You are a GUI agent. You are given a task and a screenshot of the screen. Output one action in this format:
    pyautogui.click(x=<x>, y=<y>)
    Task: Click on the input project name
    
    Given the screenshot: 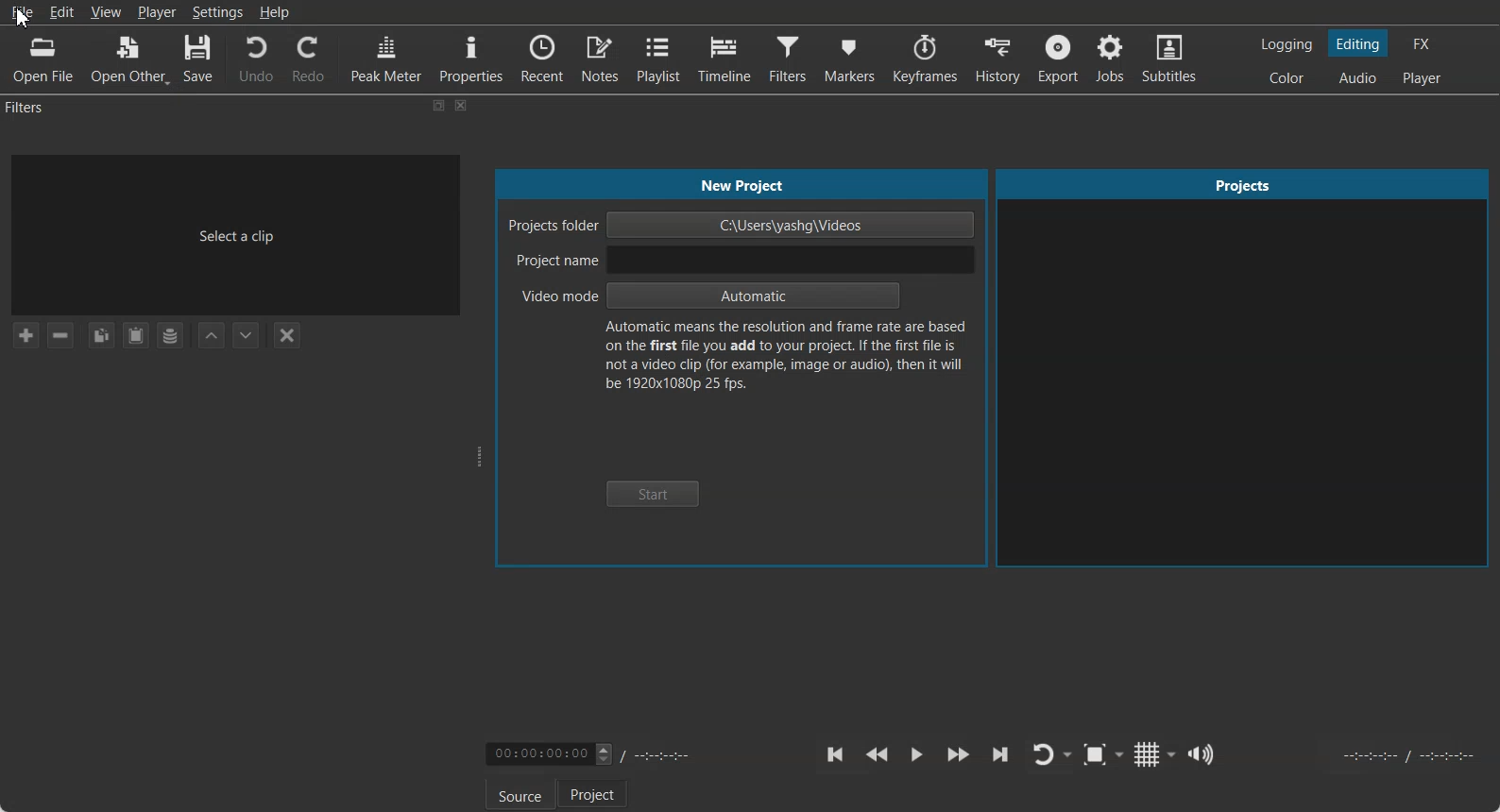 What is the action you would take?
    pyautogui.click(x=792, y=260)
    